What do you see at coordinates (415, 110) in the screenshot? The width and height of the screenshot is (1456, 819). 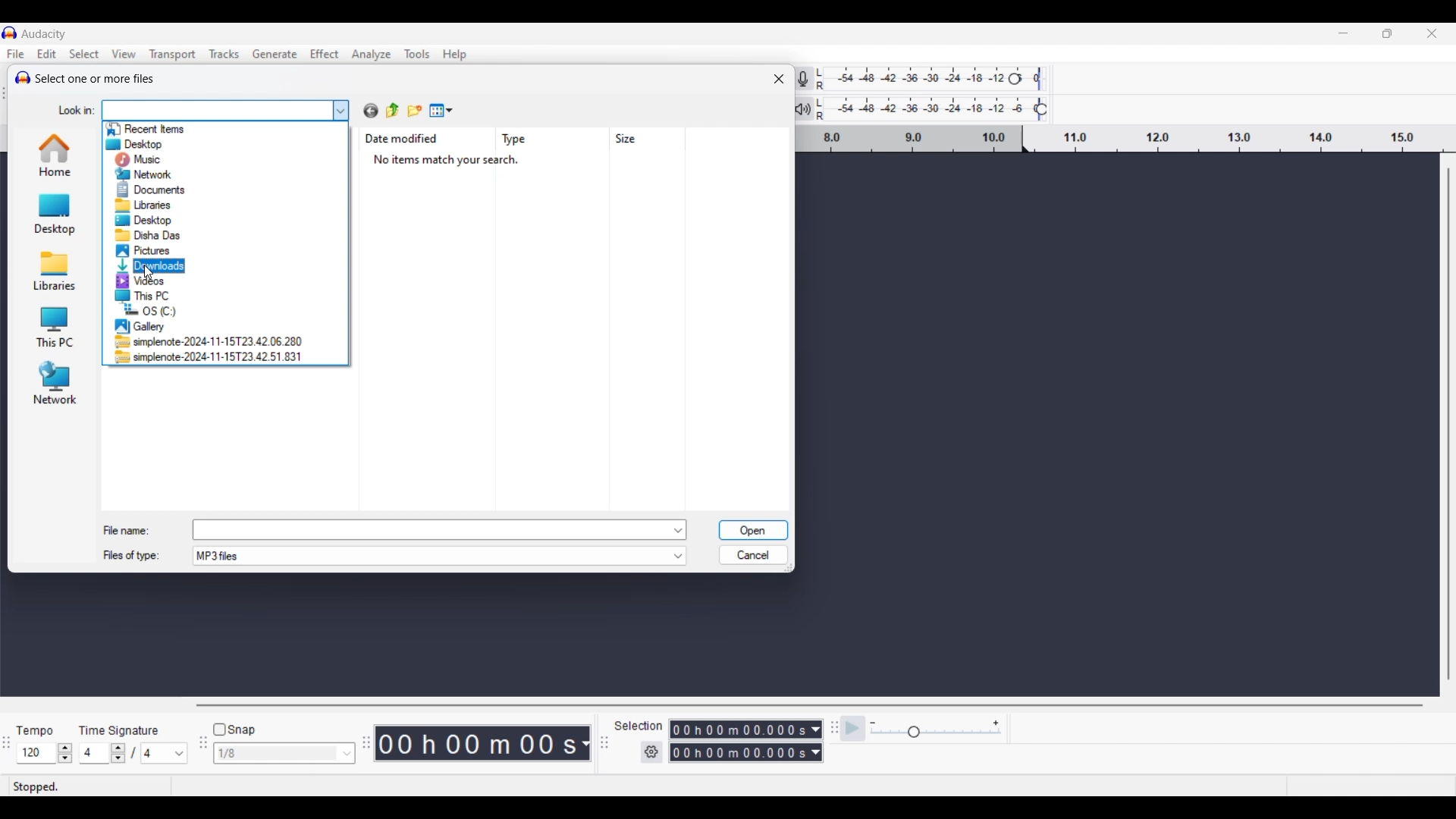 I see `Create new folder` at bounding box center [415, 110].